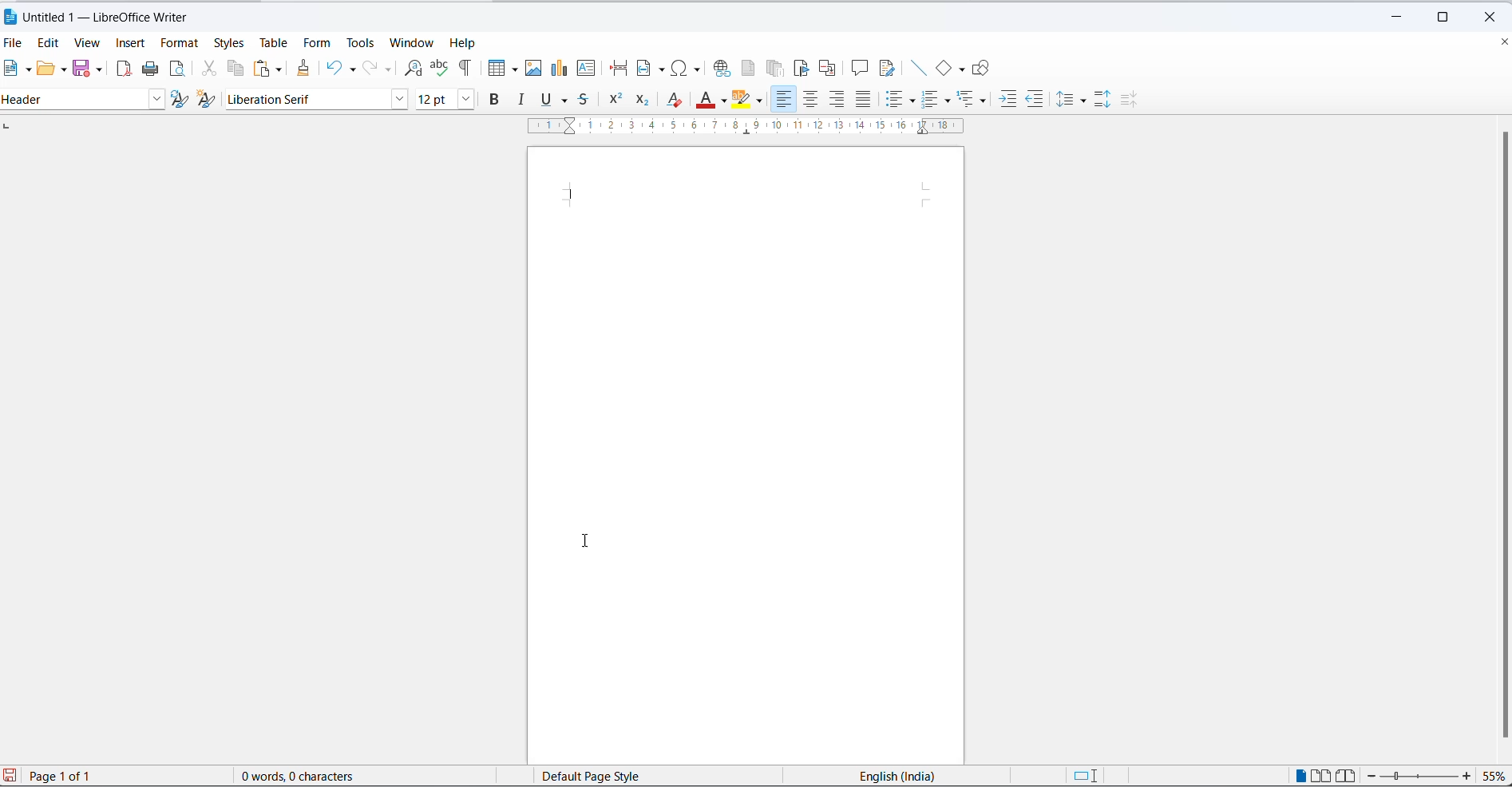 Image resolution: width=1512 pixels, height=787 pixels. I want to click on strike through, so click(584, 101).